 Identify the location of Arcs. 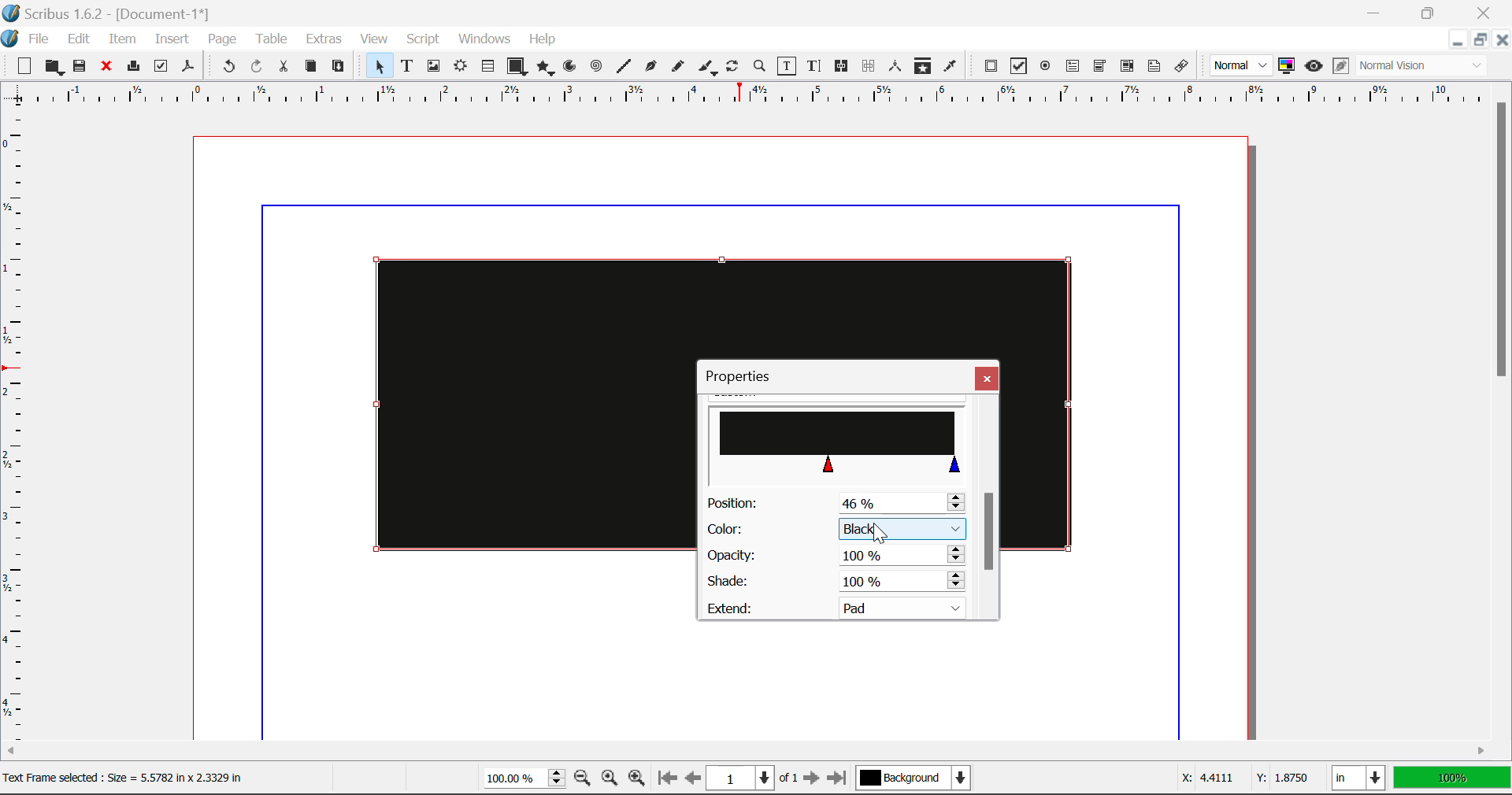
(572, 70).